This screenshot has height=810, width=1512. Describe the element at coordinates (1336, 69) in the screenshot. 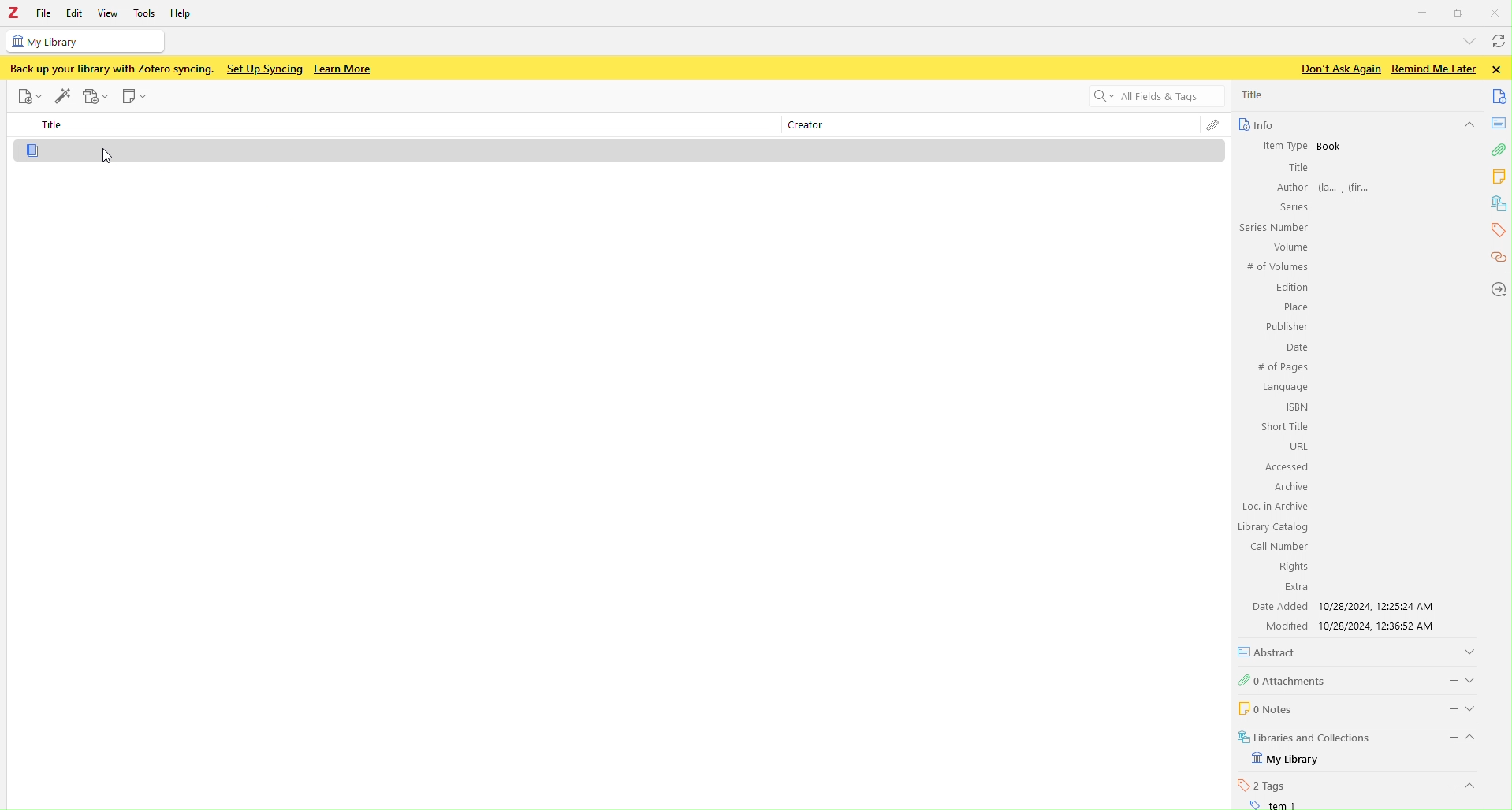

I see `Don’t Ask Again` at that location.